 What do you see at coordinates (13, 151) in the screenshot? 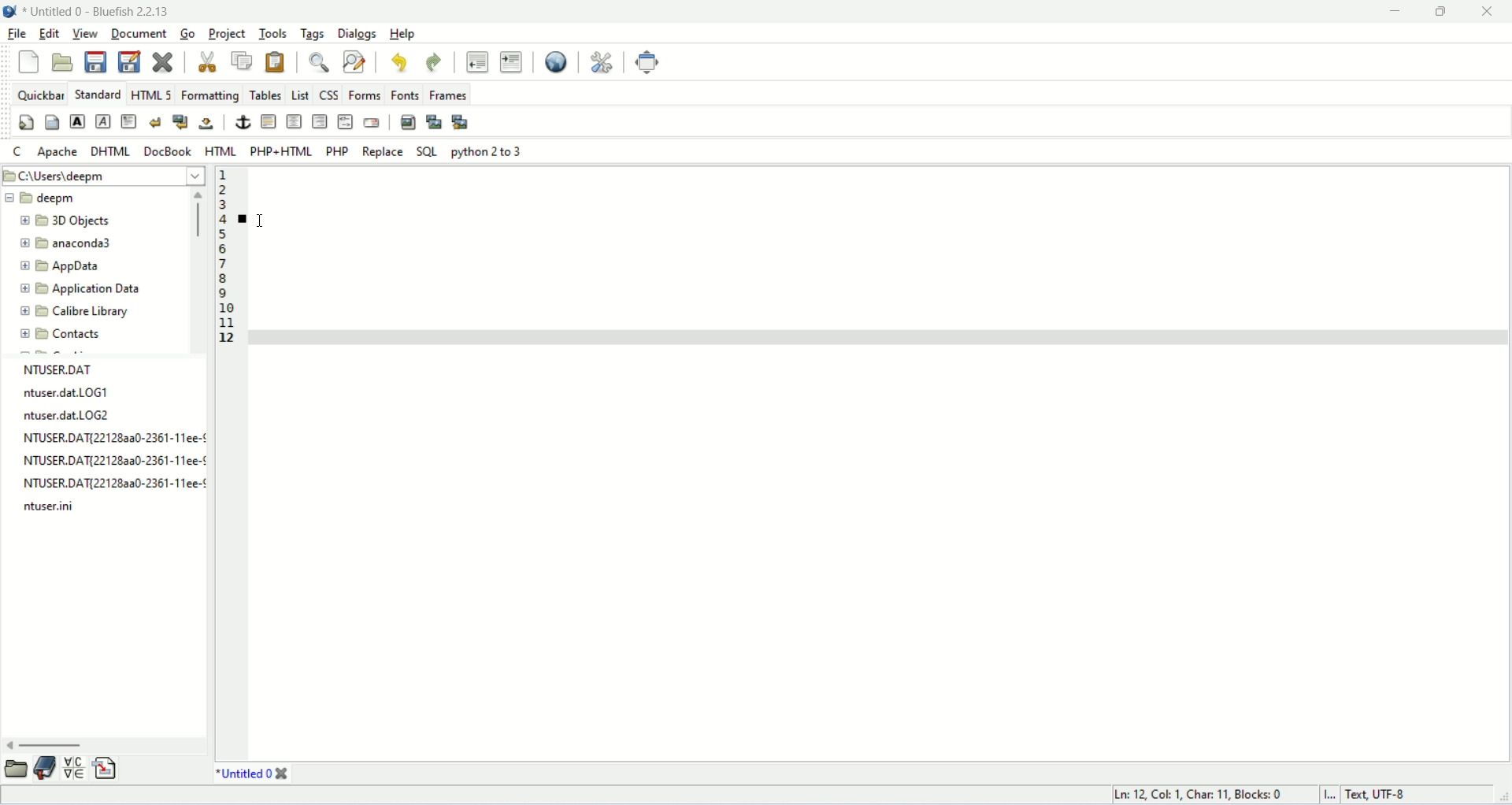
I see `C` at bounding box center [13, 151].